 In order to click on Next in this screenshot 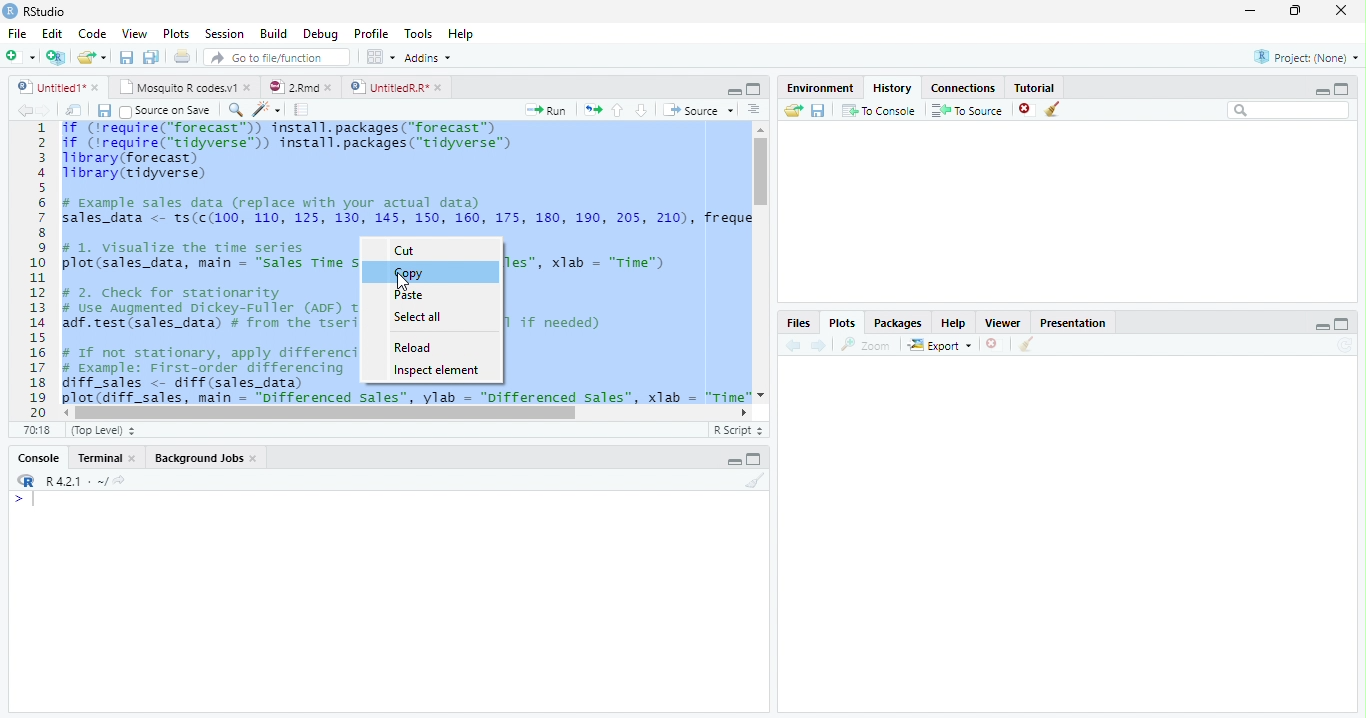, I will do `click(45, 110)`.